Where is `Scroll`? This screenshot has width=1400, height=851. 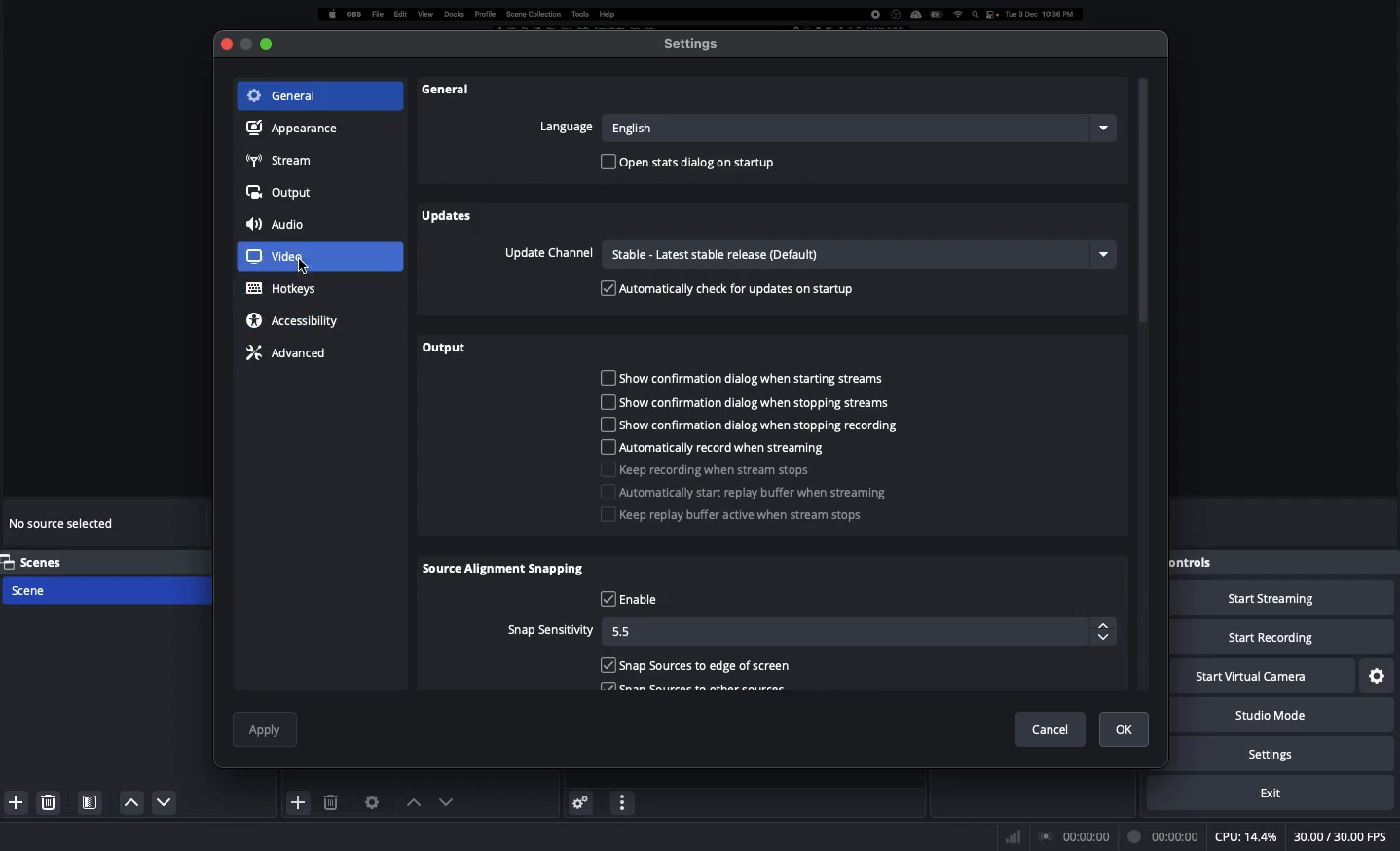 Scroll is located at coordinates (1146, 385).